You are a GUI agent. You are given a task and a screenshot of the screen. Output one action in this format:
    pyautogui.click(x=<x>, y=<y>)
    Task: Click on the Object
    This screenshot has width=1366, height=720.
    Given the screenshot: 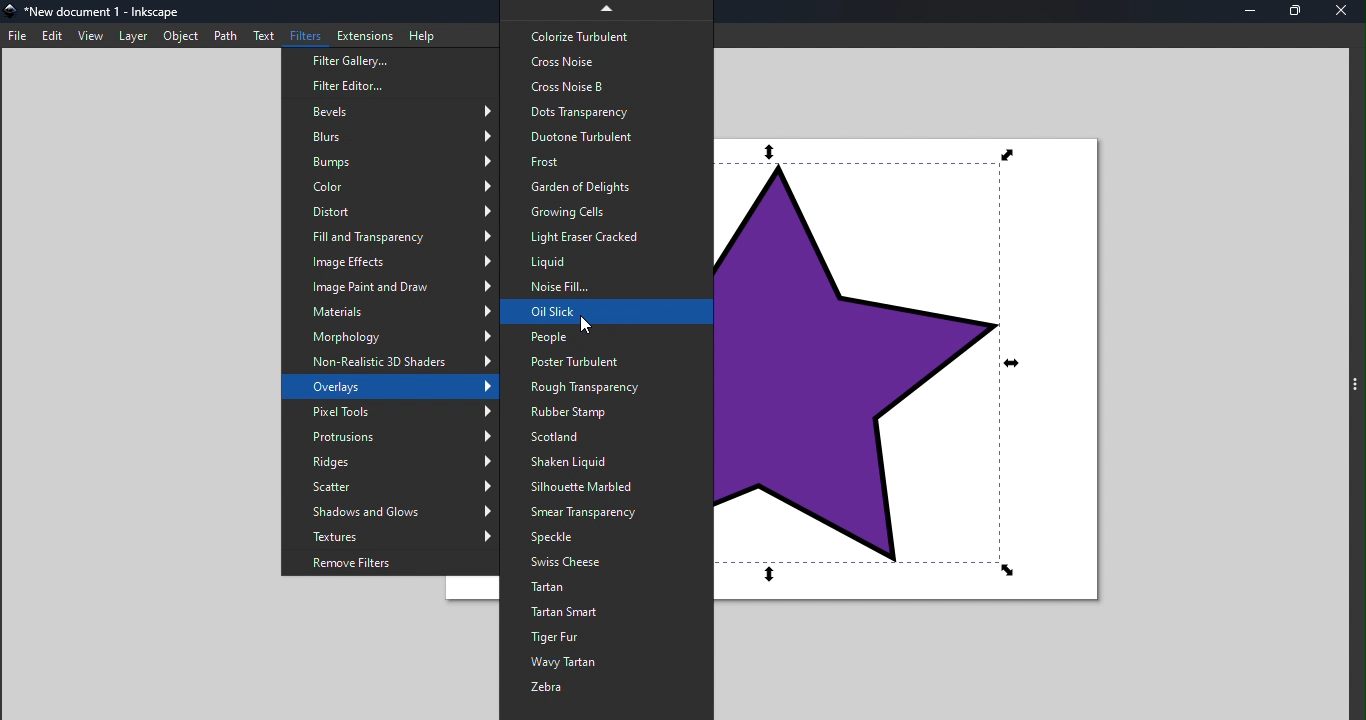 What is the action you would take?
    pyautogui.click(x=179, y=36)
    